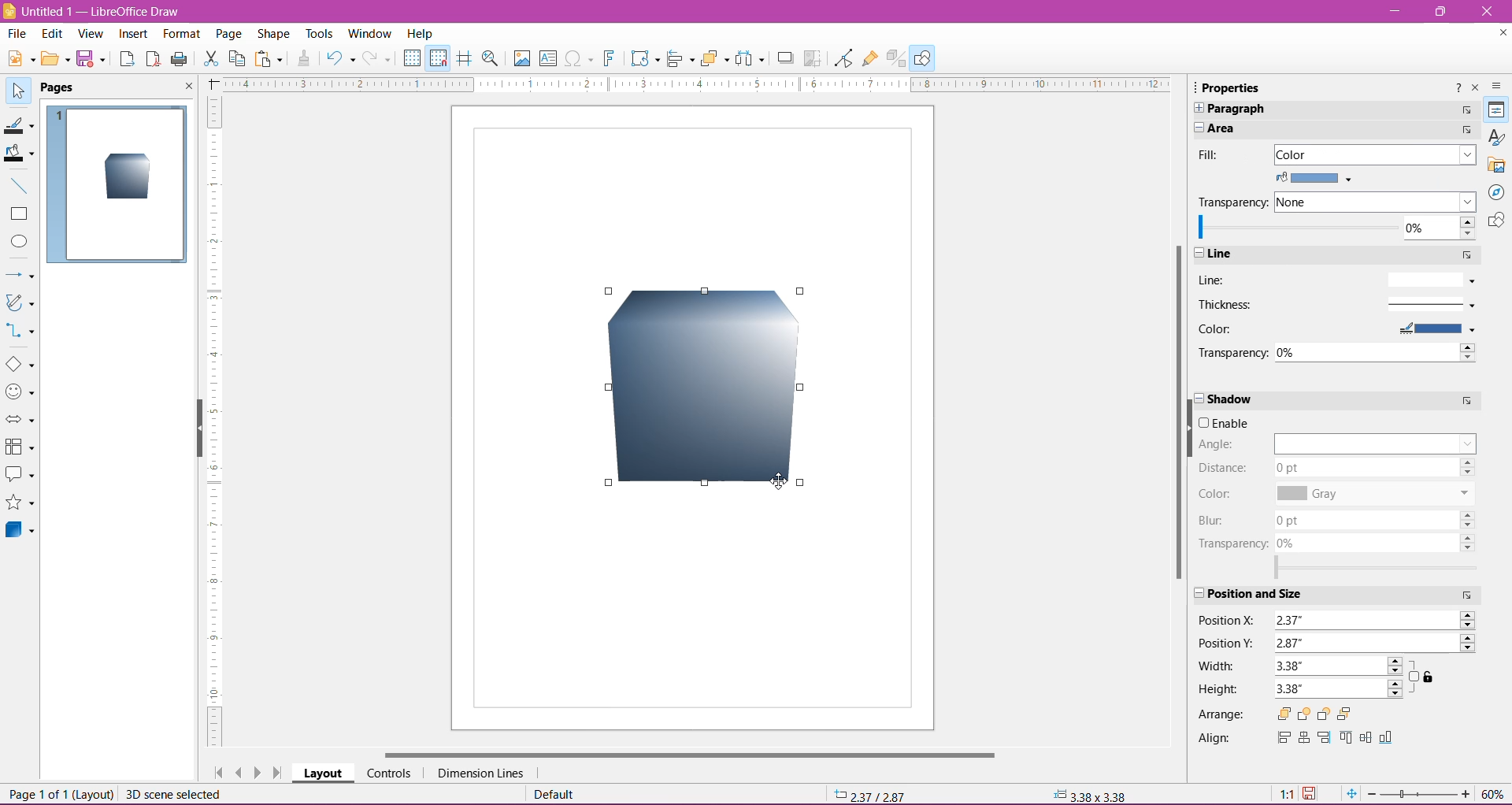 This screenshot has width=1512, height=805. What do you see at coordinates (1217, 521) in the screenshot?
I see `Blur` at bounding box center [1217, 521].